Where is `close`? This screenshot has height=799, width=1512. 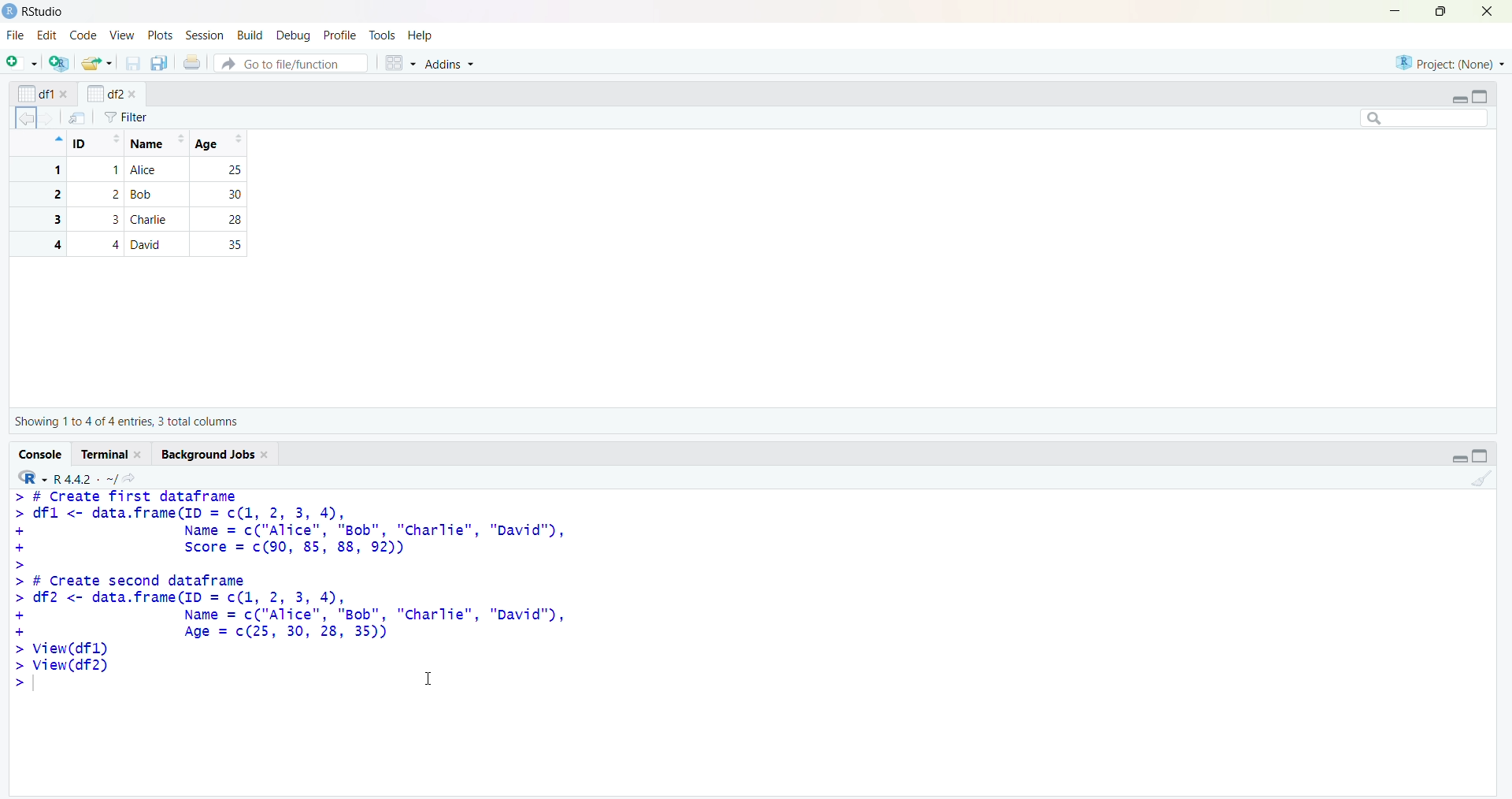 close is located at coordinates (132, 95).